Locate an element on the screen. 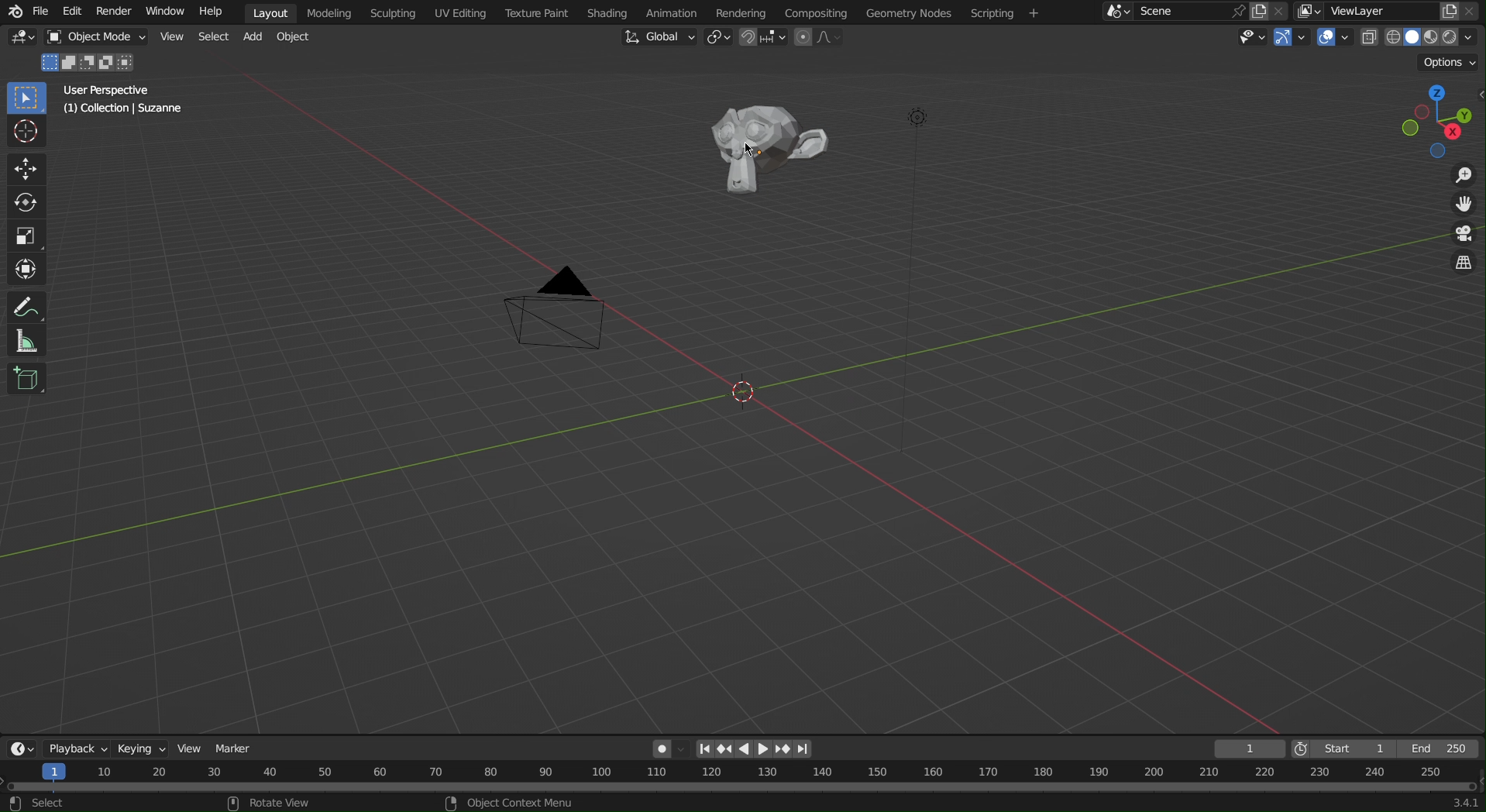 The height and width of the screenshot is (812, 1486). Toggle View is located at coordinates (1463, 264).